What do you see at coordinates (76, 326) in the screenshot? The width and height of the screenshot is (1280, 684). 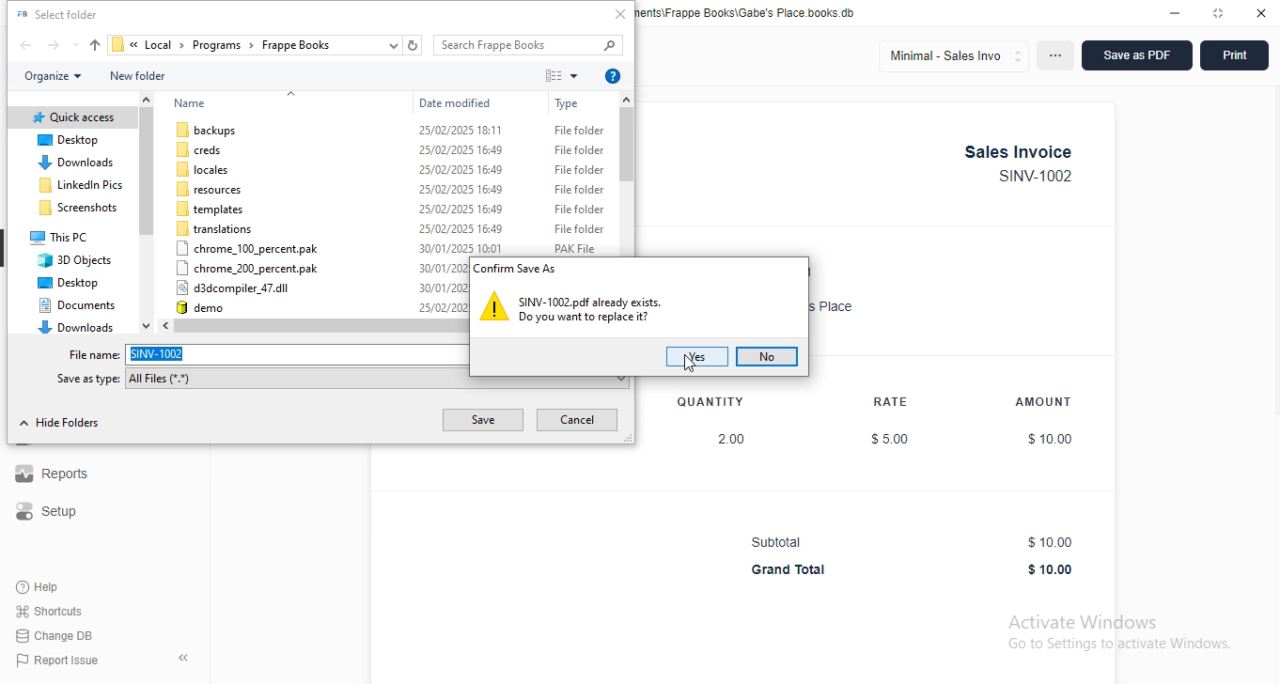 I see `downloads` at bounding box center [76, 326].